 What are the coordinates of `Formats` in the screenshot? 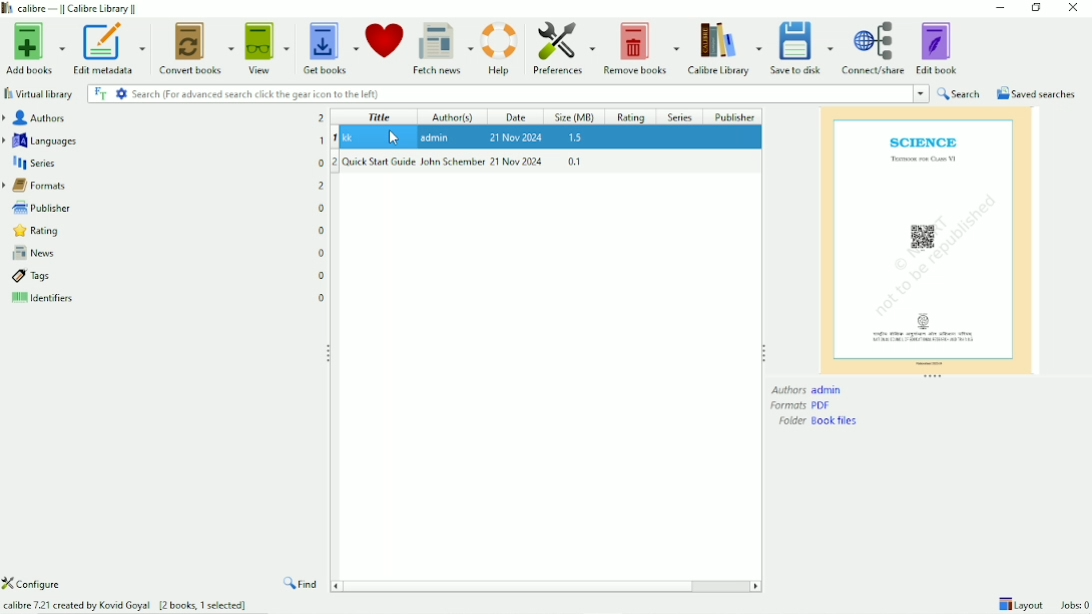 It's located at (801, 406).